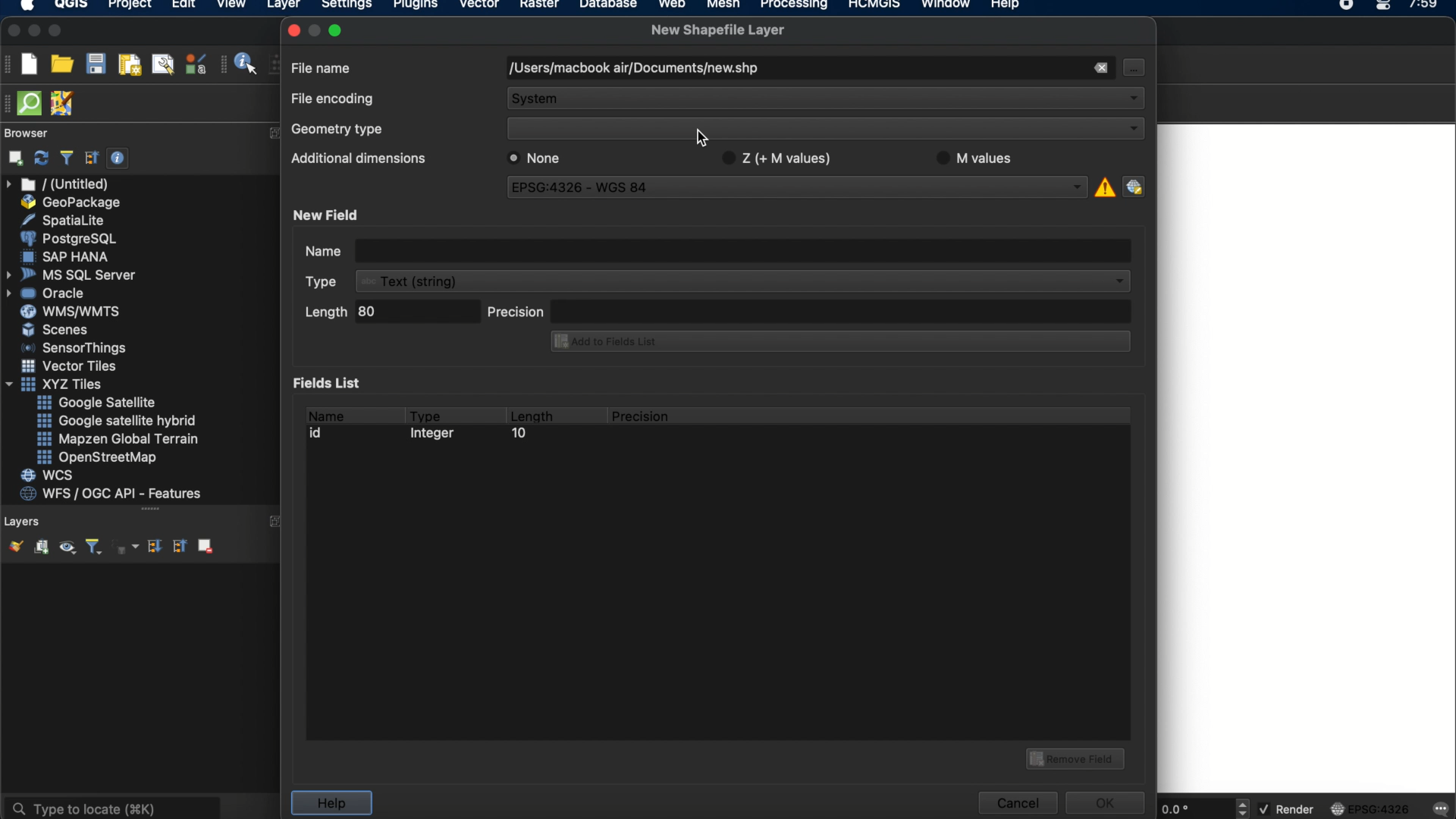  I want to click on window, so click(949, 6).